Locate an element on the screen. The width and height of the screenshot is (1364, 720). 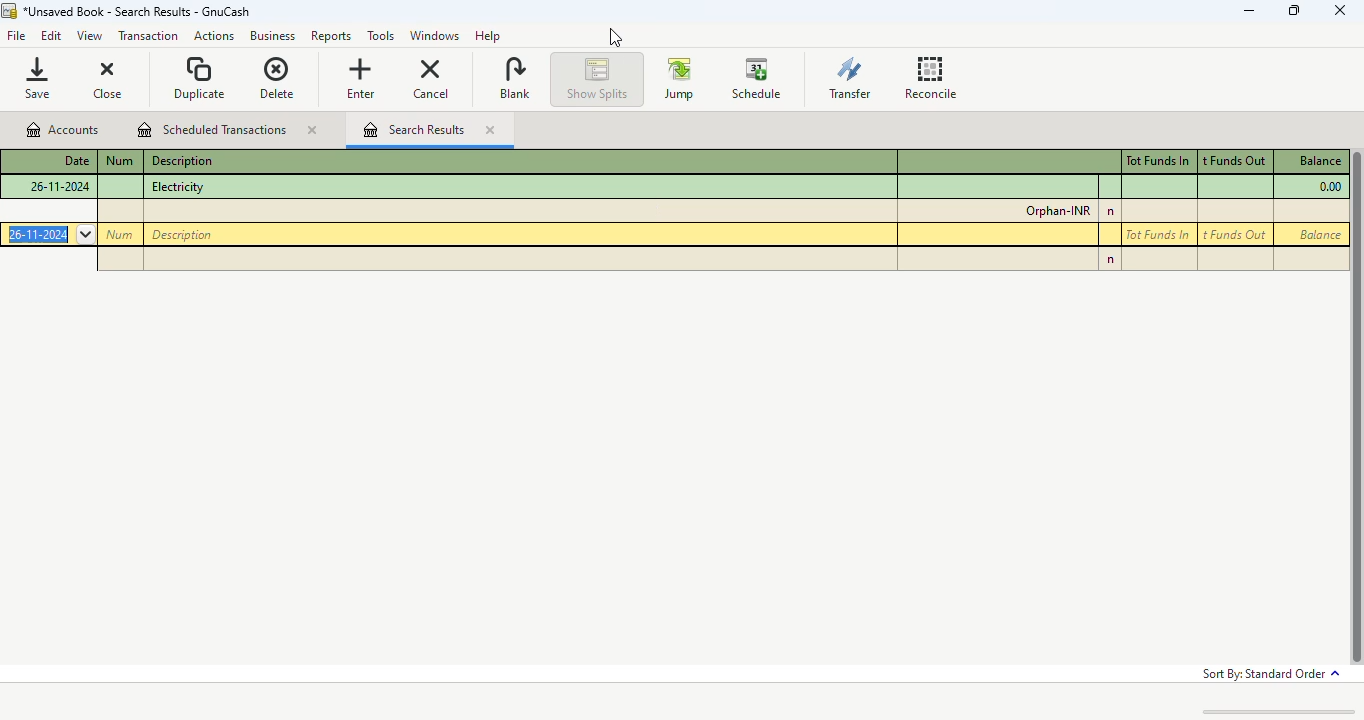
close tab is located at coordinates (491, 131).